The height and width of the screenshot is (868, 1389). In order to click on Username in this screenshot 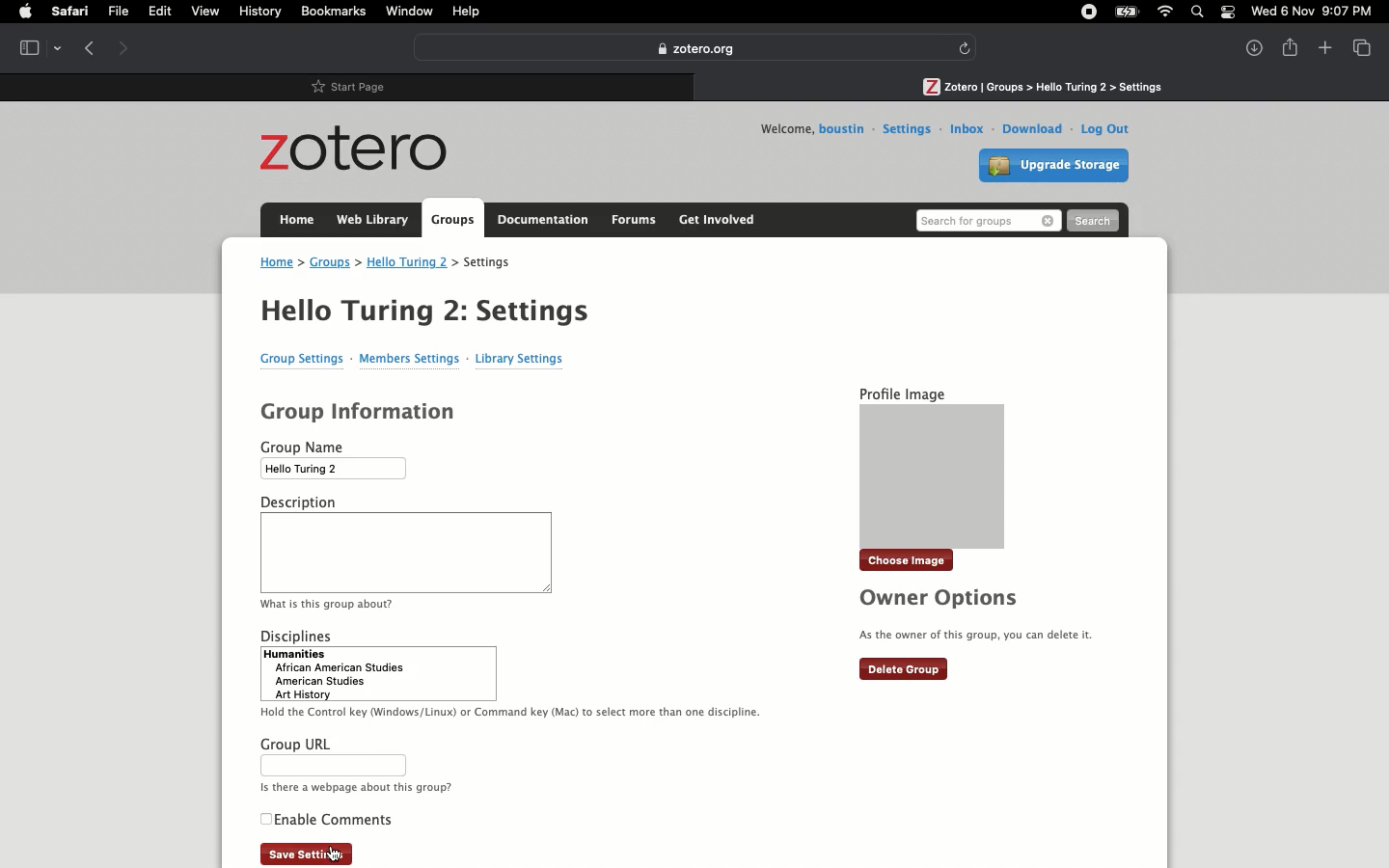, I will do `click(844, 129)`.